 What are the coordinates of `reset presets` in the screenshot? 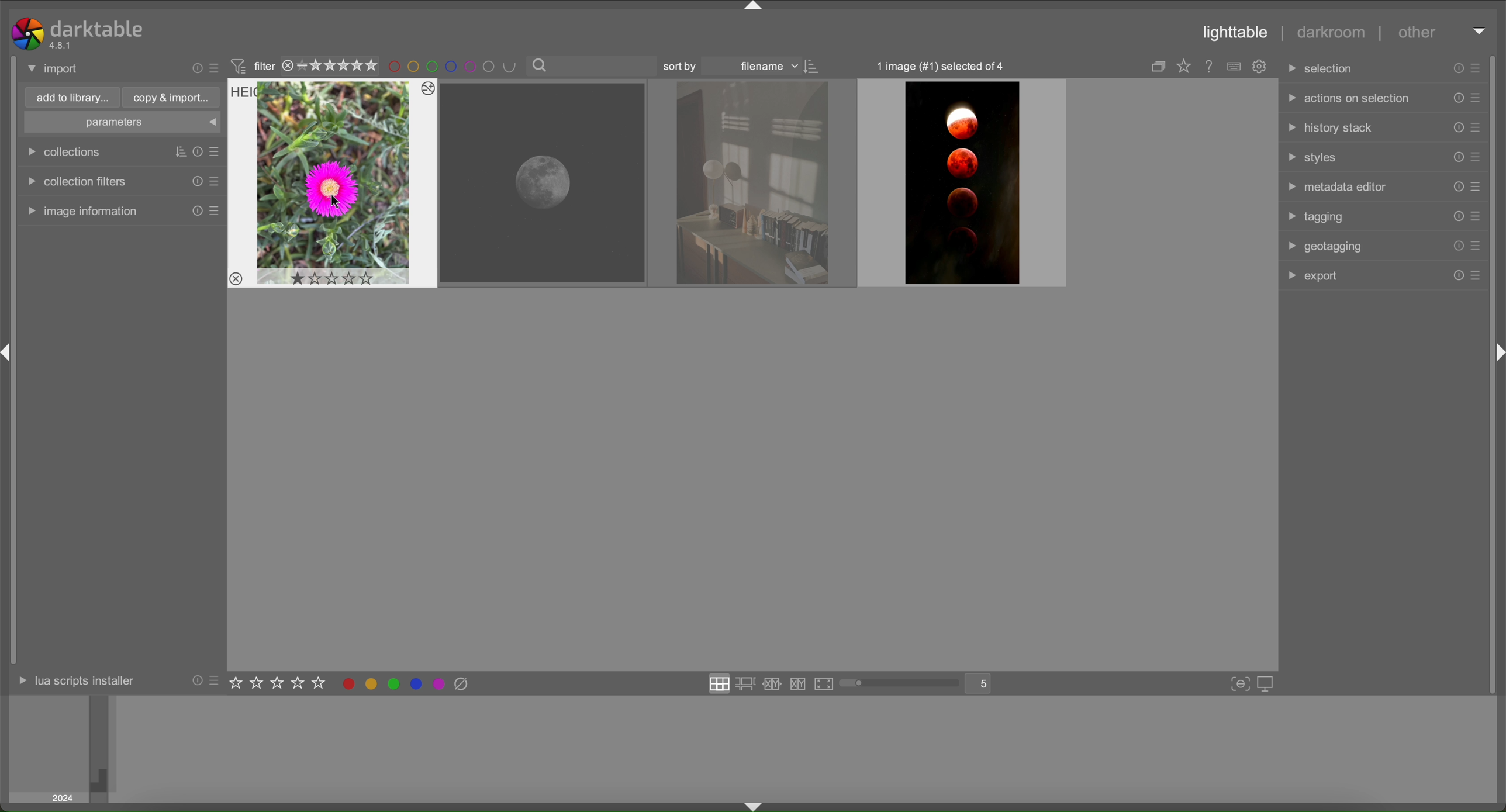 It's located at (195, 181).